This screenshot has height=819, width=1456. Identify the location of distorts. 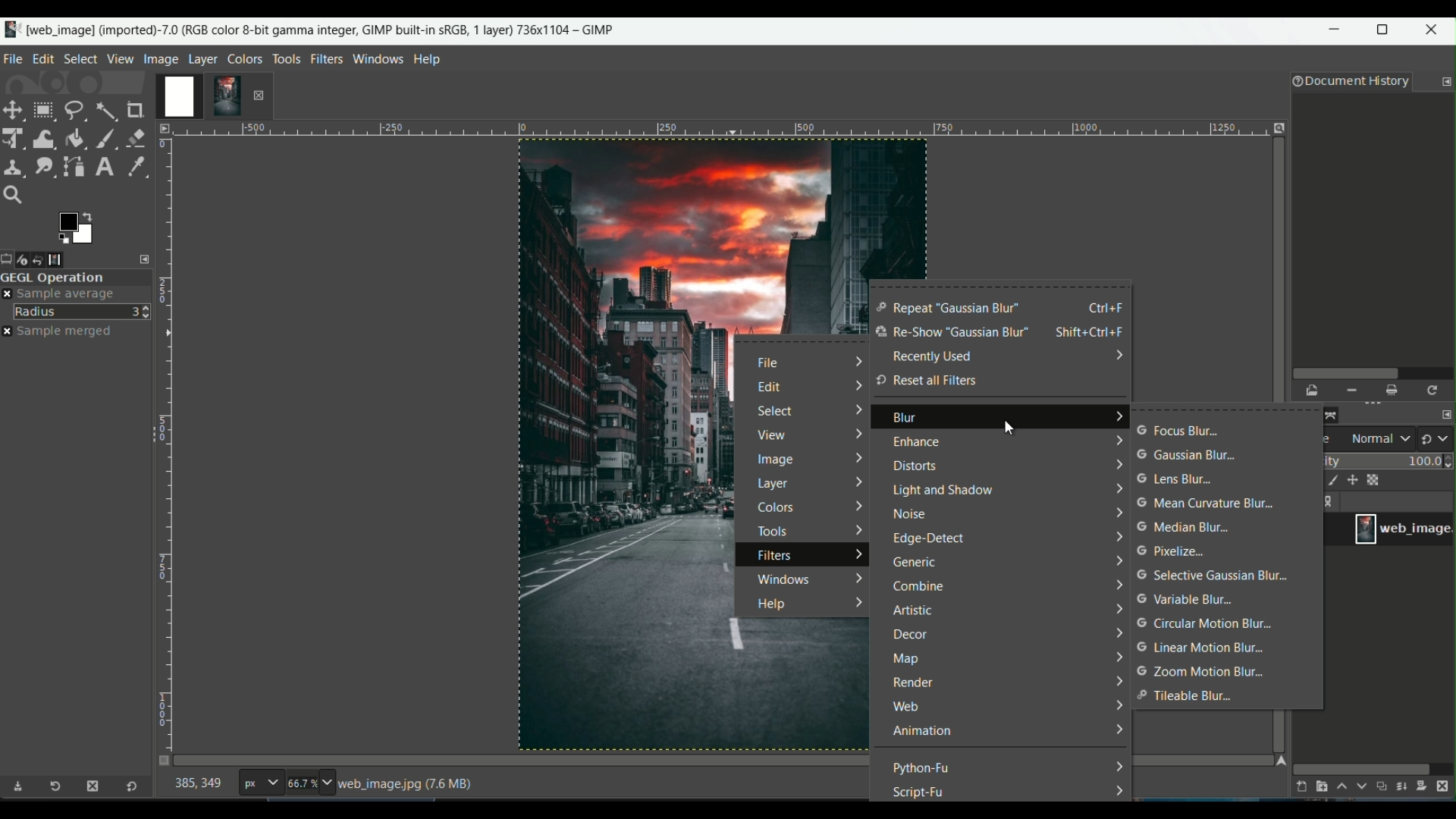
(913, 466).